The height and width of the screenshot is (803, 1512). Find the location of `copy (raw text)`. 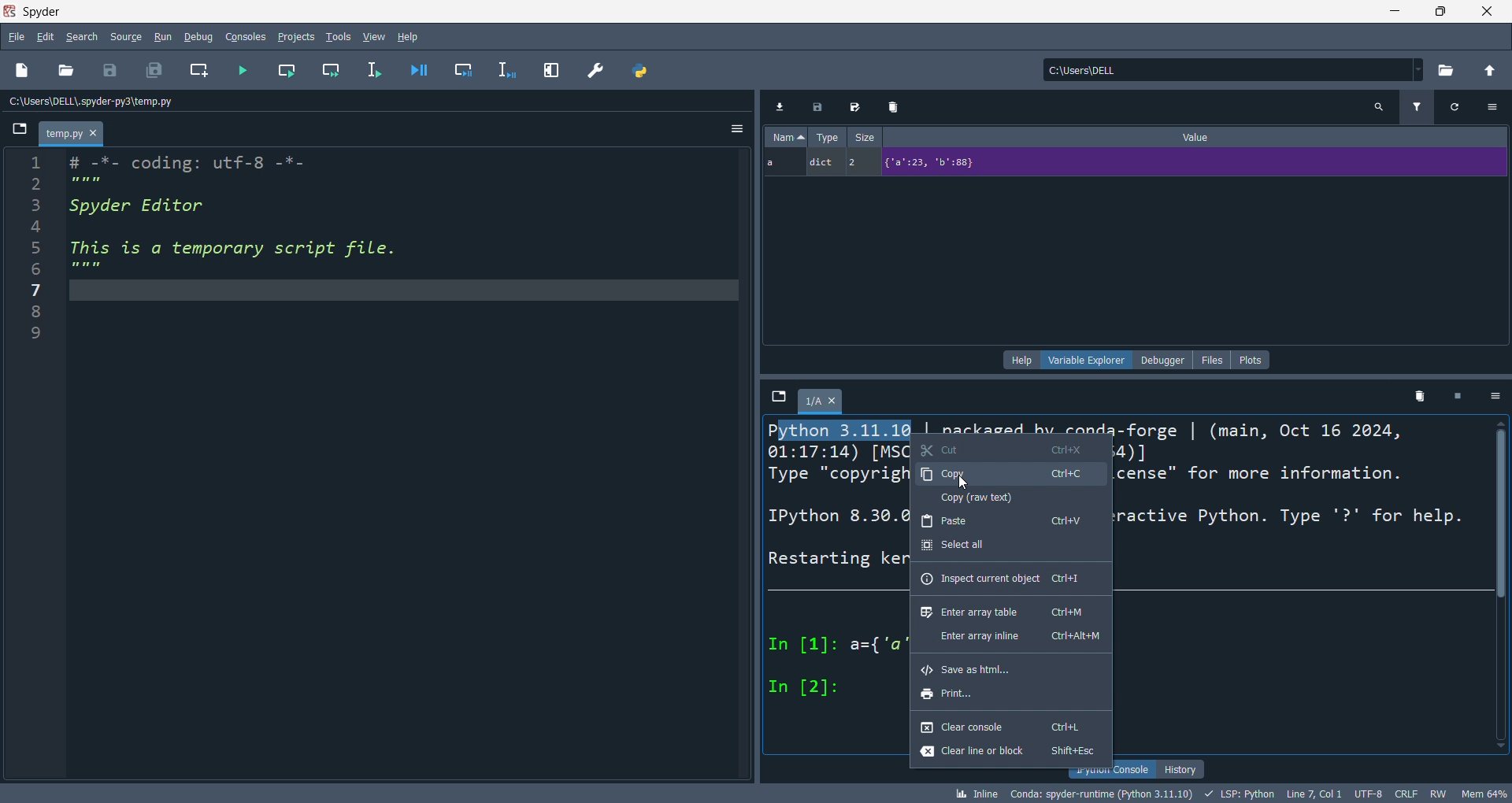

copy (raw text) is located at coordinates (1008, 498).